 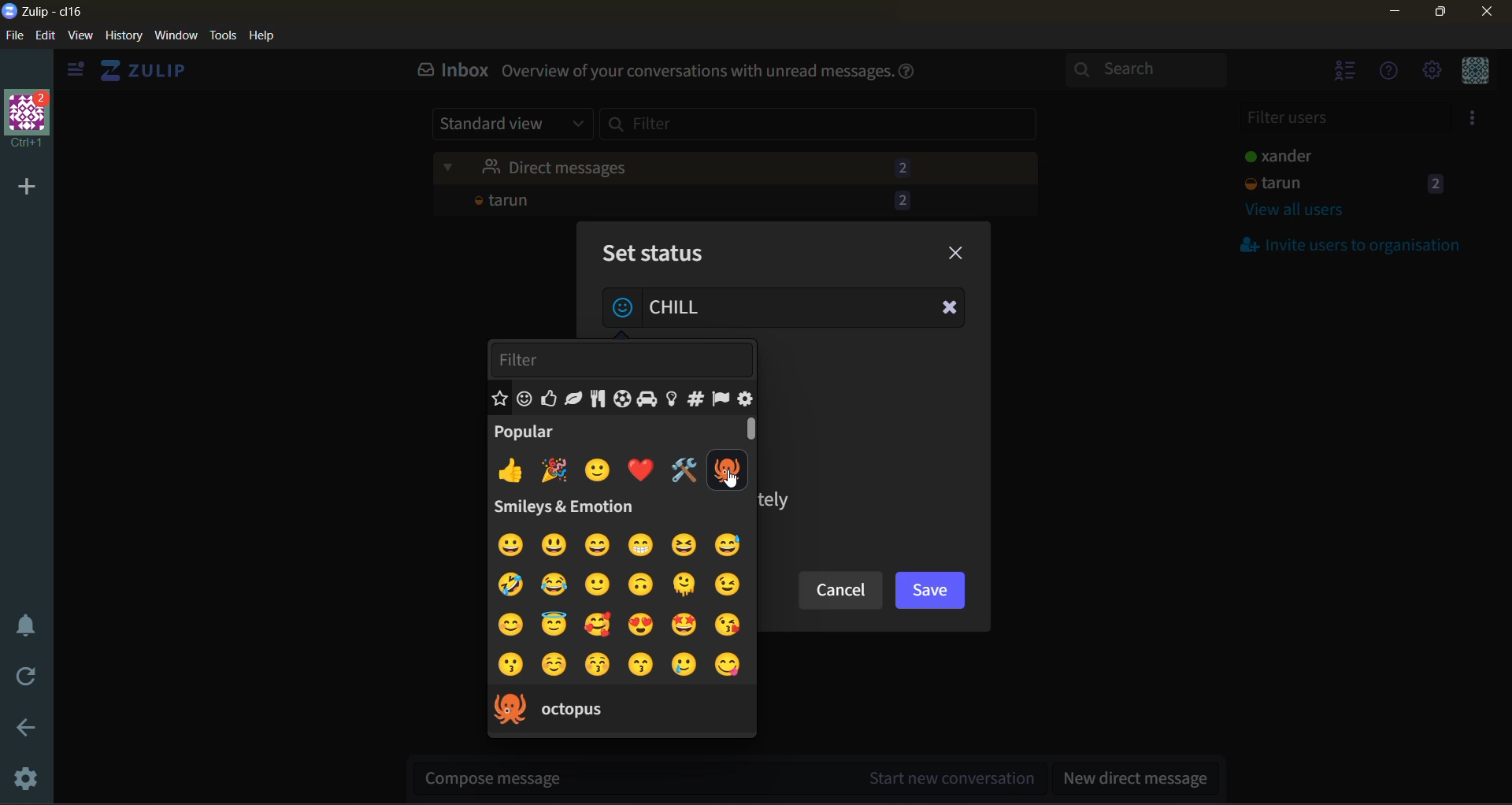 What do you see at coordinates (546, 714) in the screenshot?
I see `octopus` at bounding box center [546, 714].